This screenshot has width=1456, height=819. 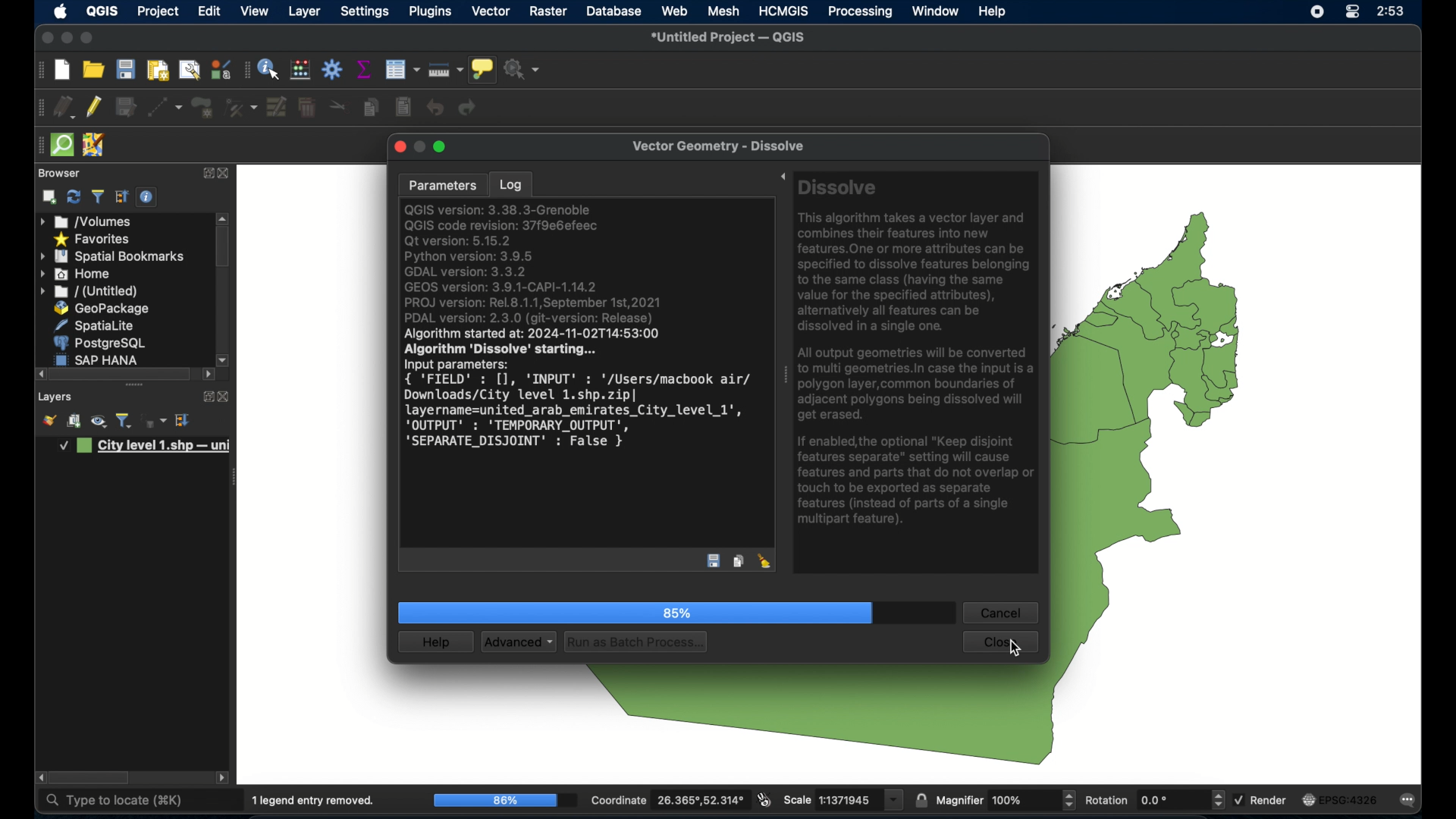 I want to click on no action selected, so click(x=526, y=71).